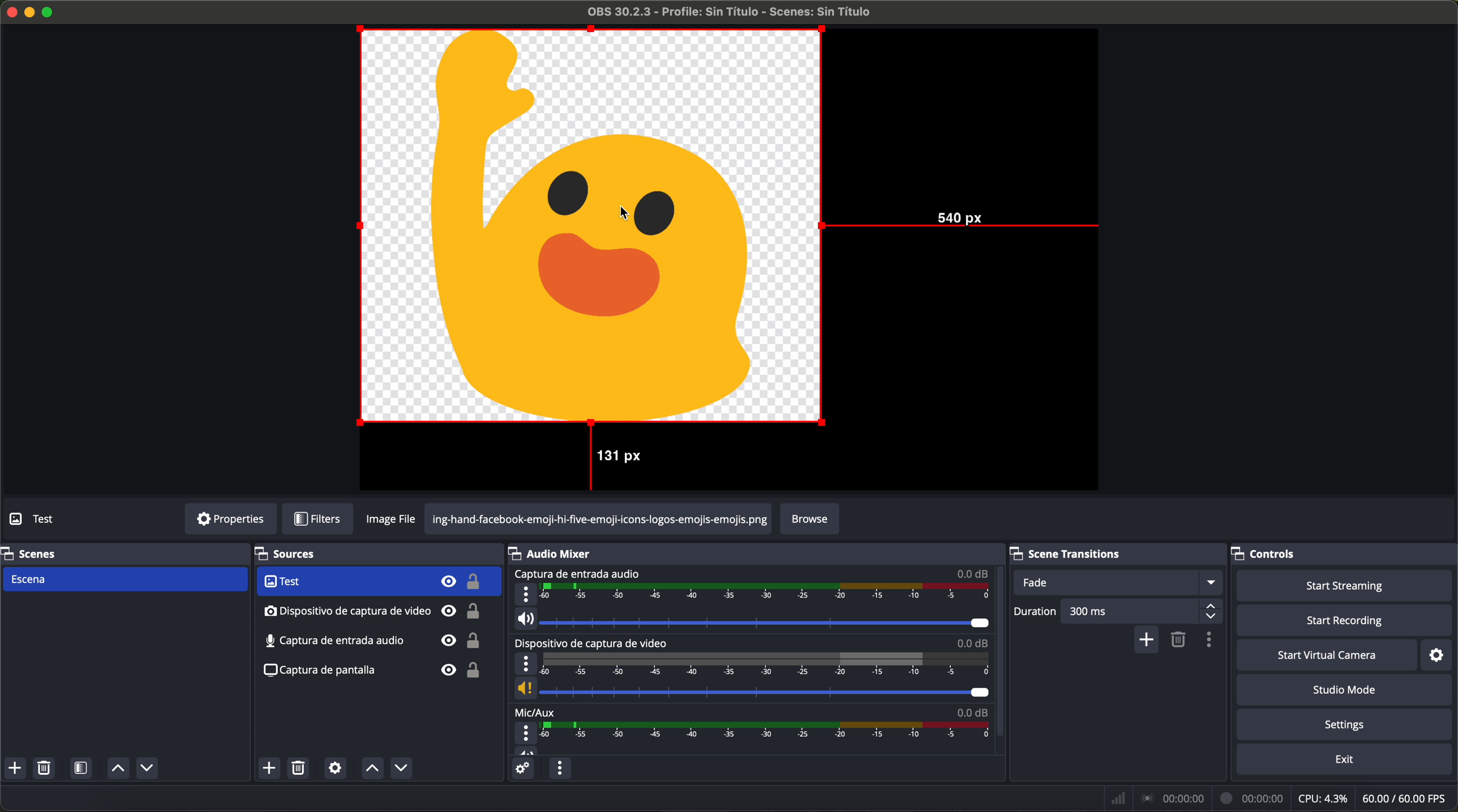  What do you see at coordinates (83, 769) in the screenshot?
I see `open scene filters` at bounding box center [83, 769].